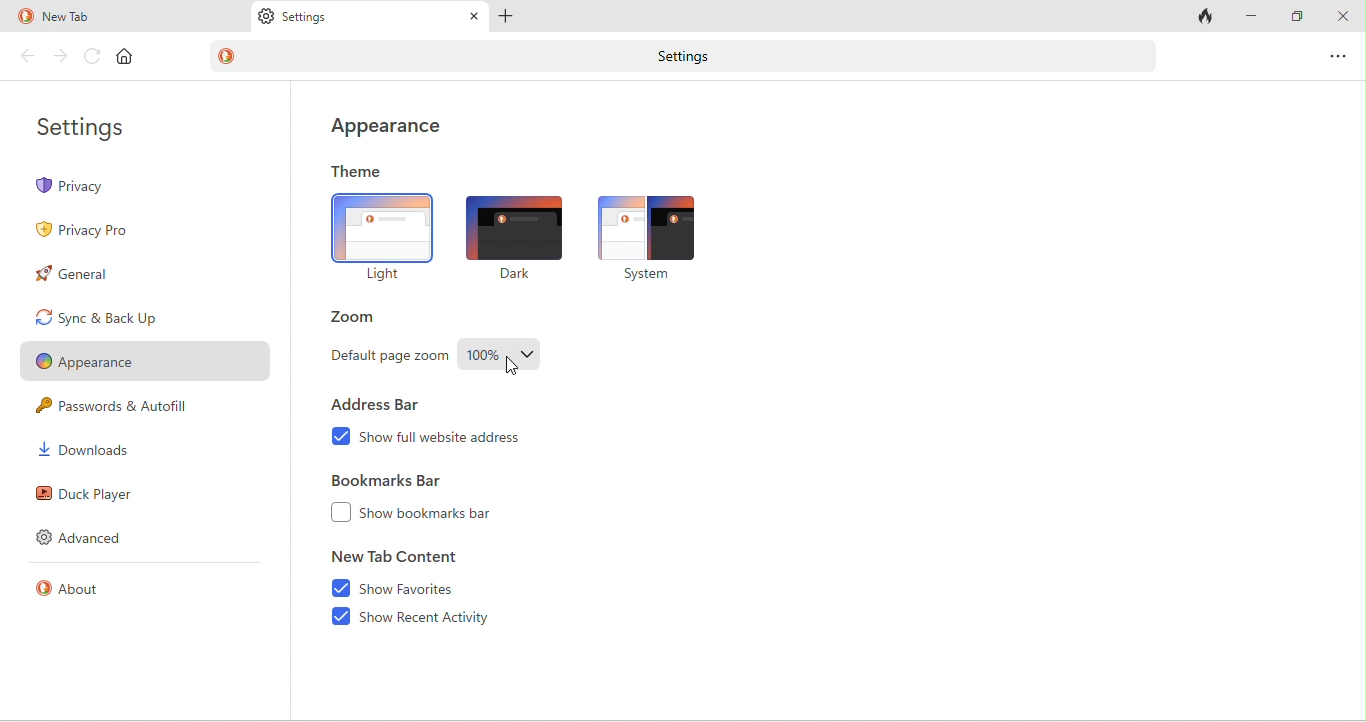 This screenshot has width=1366, height=722. What do you see at coordinates (340, 513) in the screenshot?
I see `checkbox` at bounding box center [340, 513].